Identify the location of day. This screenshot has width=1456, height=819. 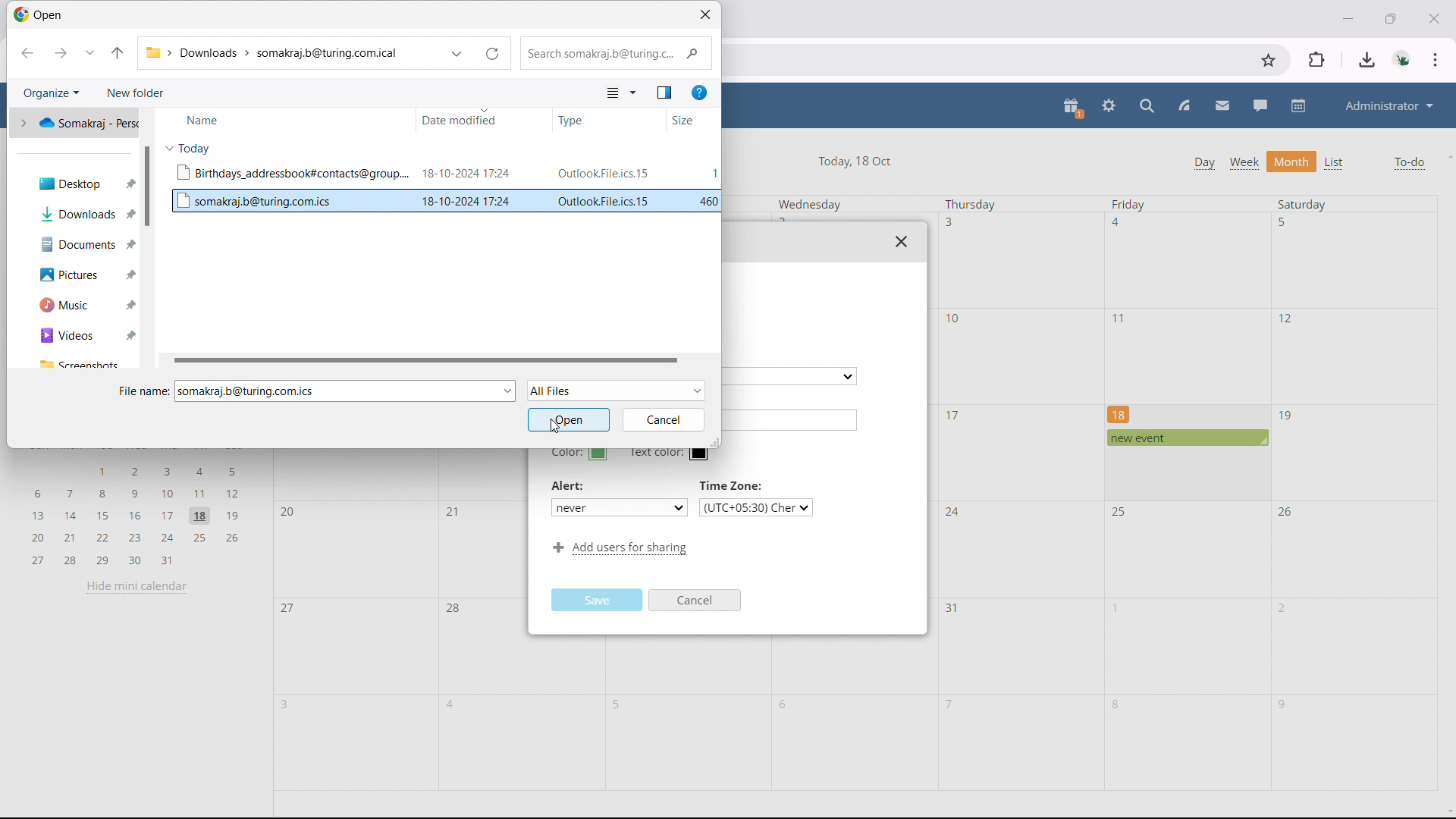
(1203, 163).